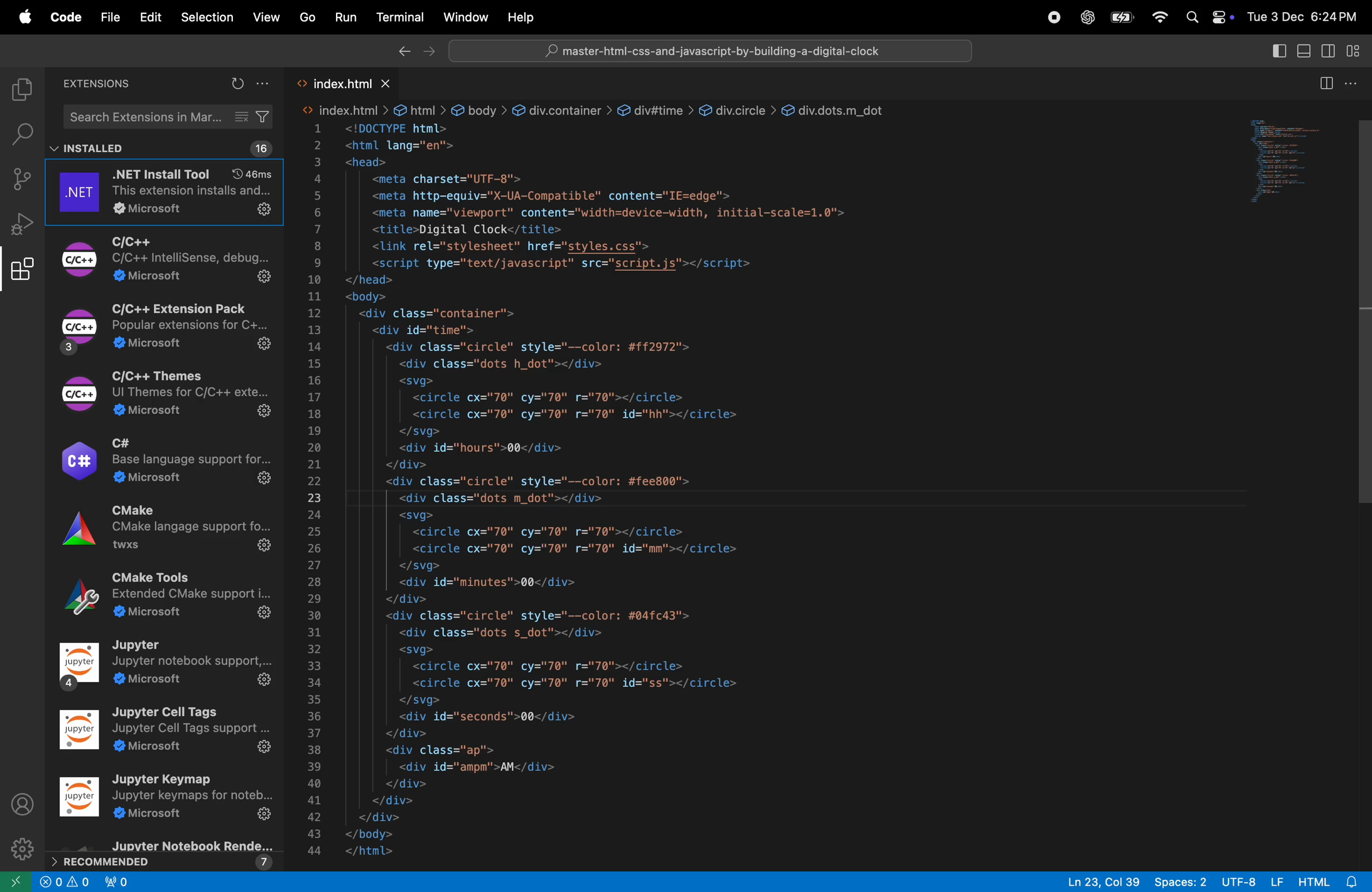 This screenshot has height=892, width=1372. Describe the element at coordinates (708, 50) in the screenshot. I see `search bar` at that location.